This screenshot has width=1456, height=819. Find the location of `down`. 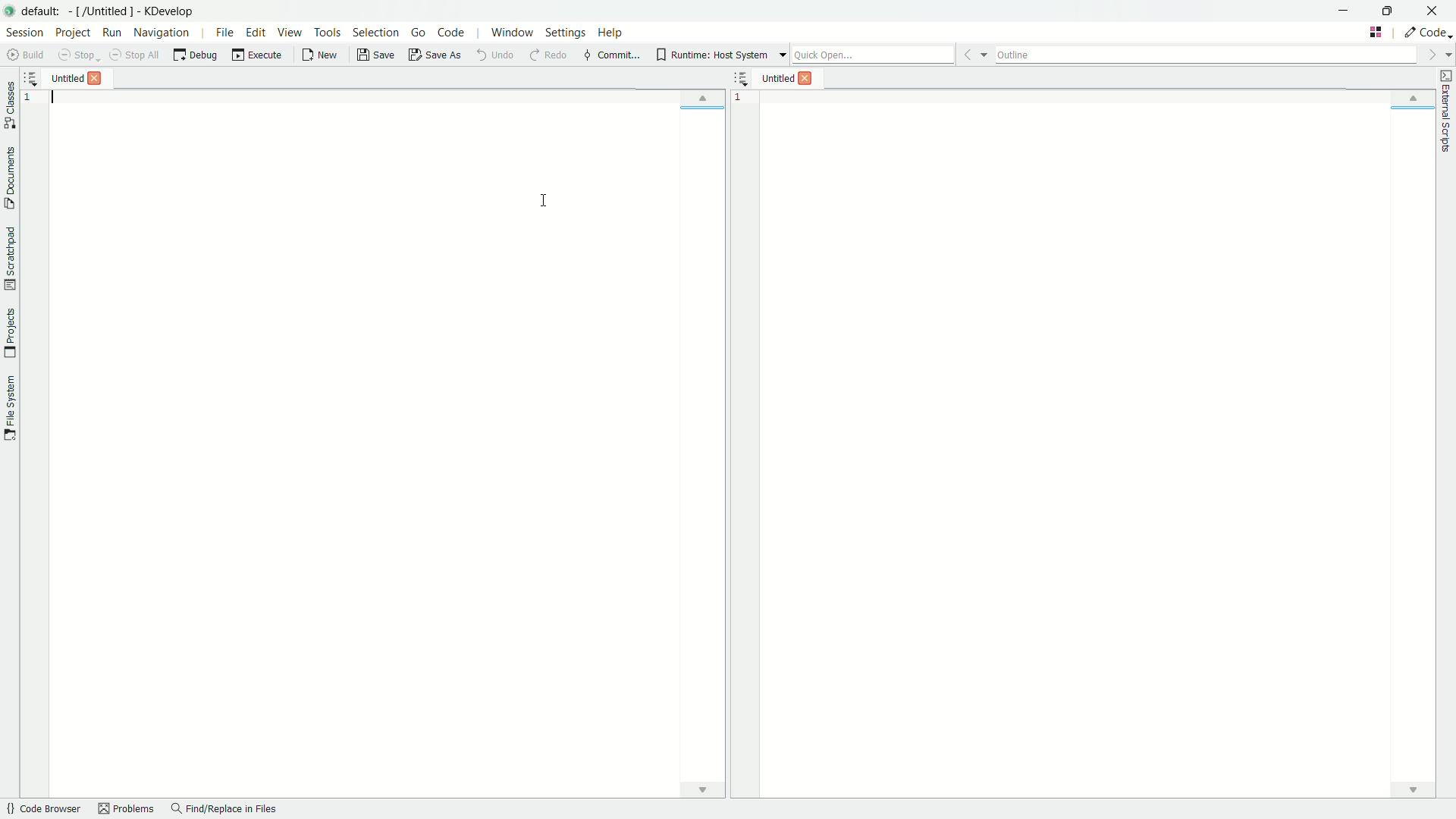

down is located at coordinates (705, 790).